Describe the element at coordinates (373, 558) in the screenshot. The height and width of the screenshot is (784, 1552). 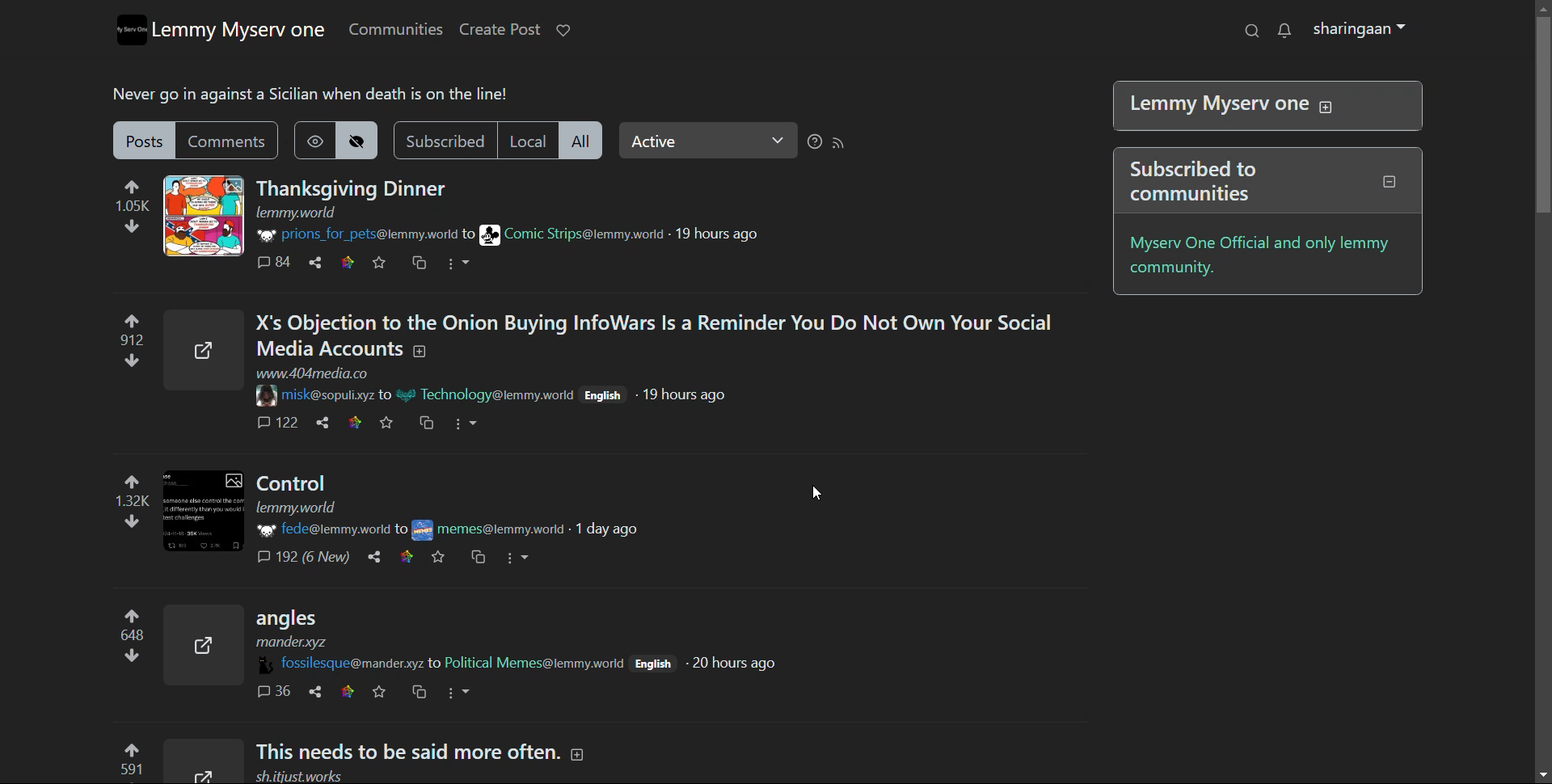
I see `share` at that location.